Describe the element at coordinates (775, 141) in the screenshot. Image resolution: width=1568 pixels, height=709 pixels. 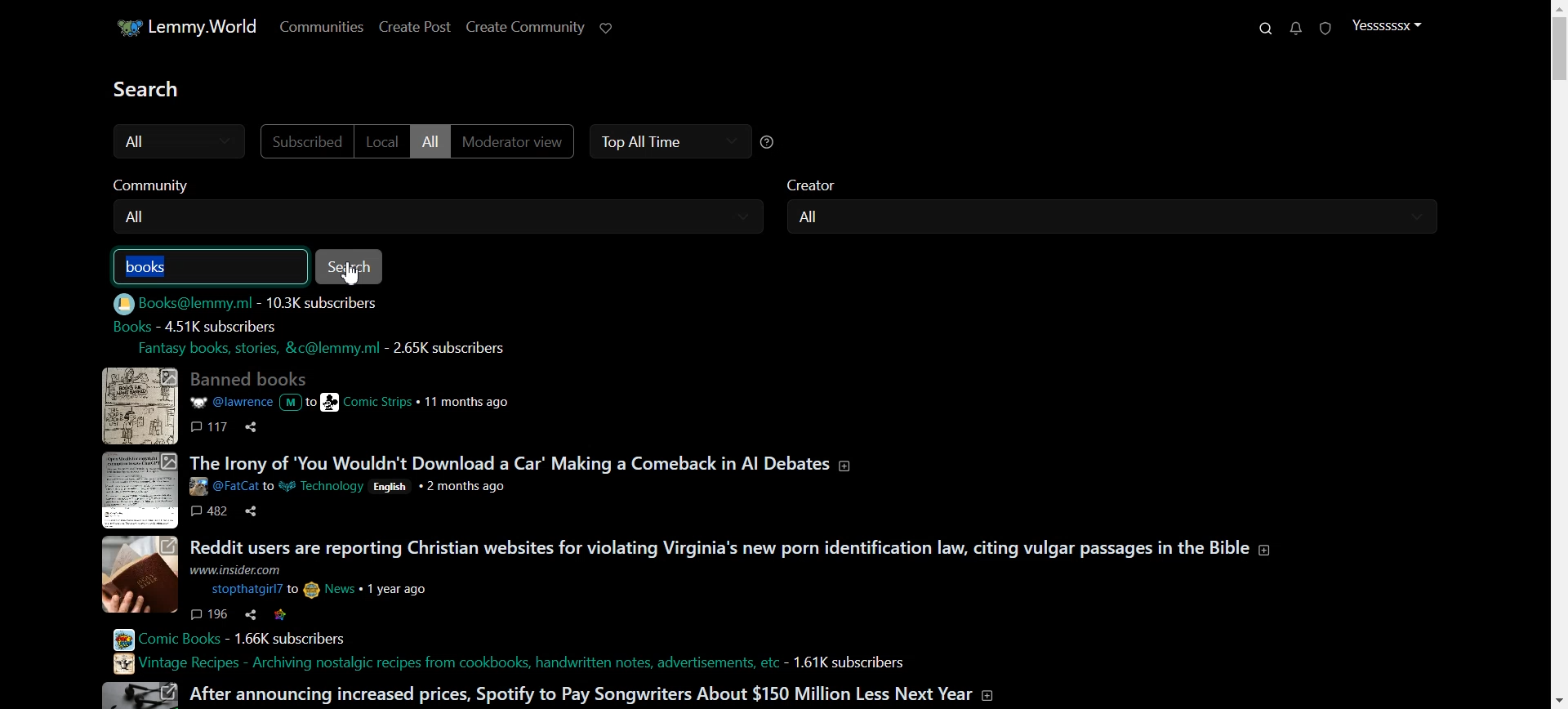
I see `Sorting help` at that location.